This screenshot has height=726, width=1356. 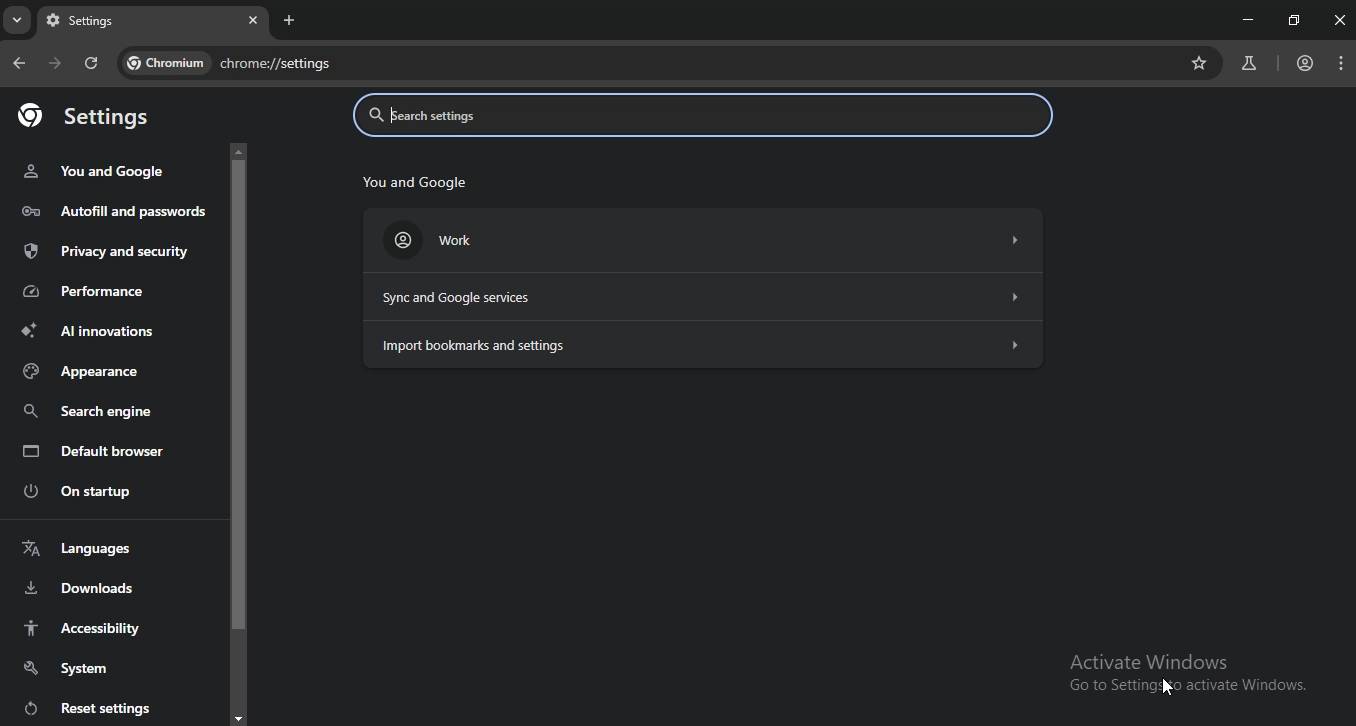 I want to click on refresh, so click(x=92, y=65).